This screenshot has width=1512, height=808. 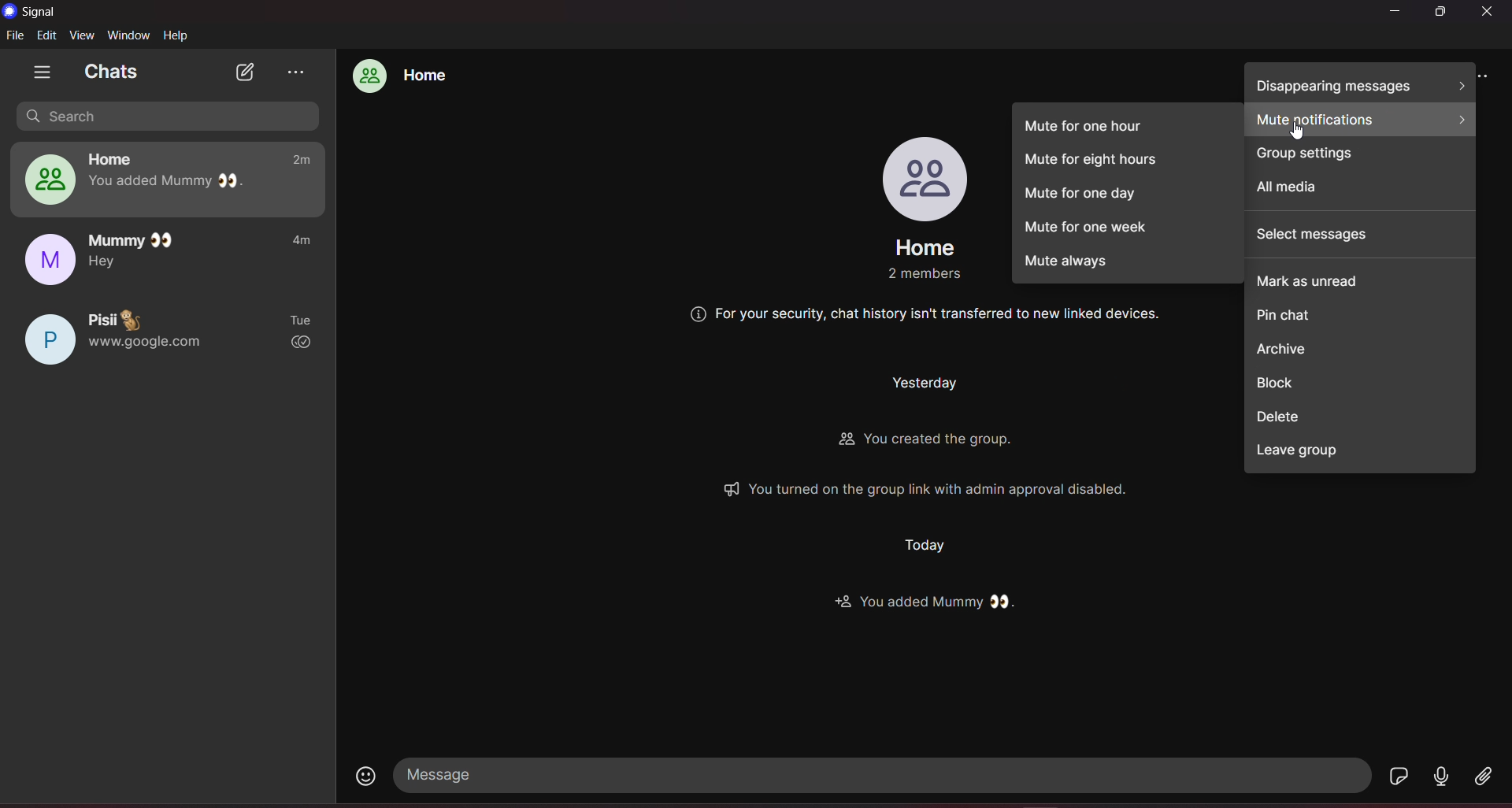 What do you see at coordinates (1442, 14) in the screenshot?
I see `maximize` at bounding box center [1442, 14].